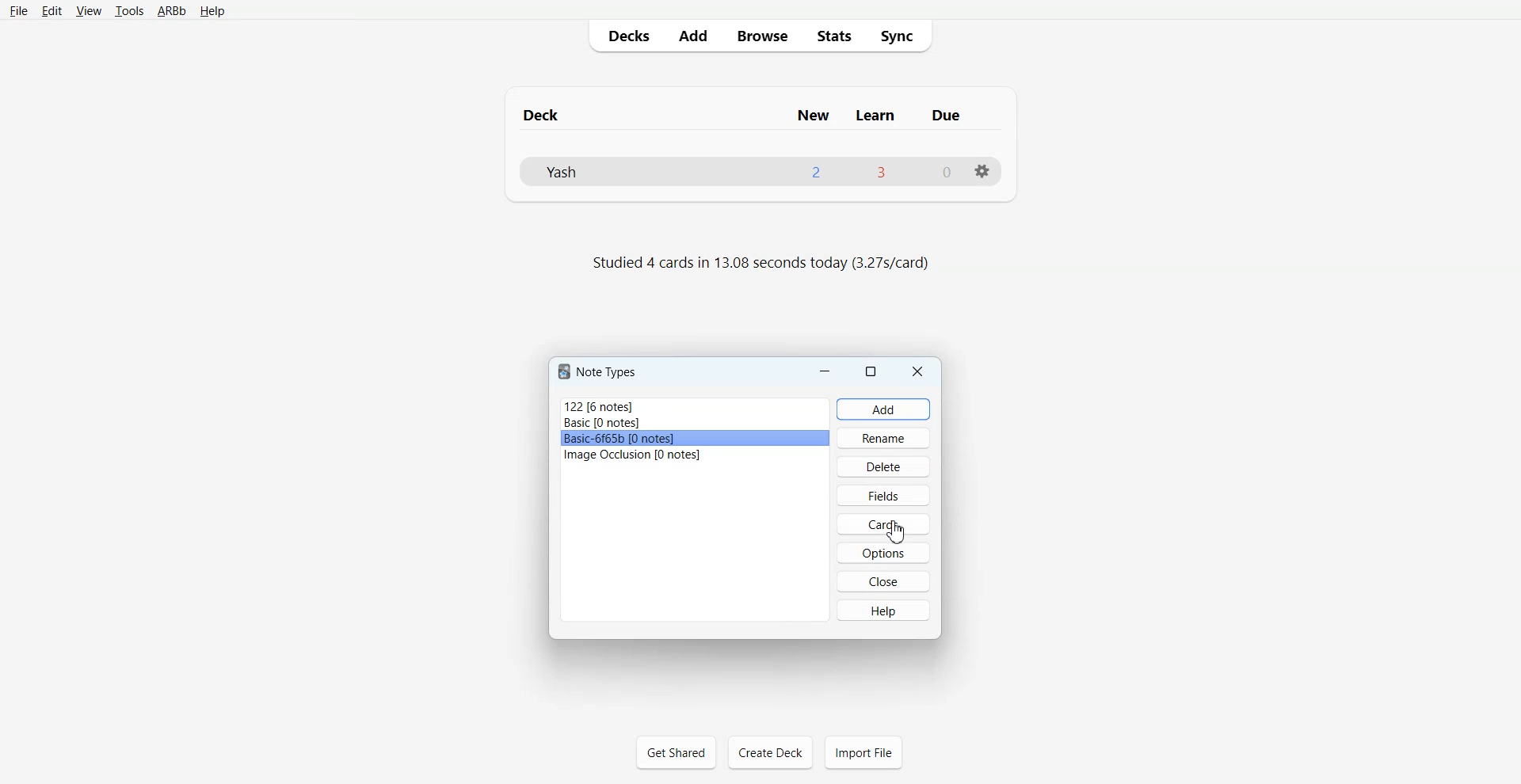 The image size is (1521, 784). Describe the element at coordinates (761, 172) in the screenshot. I see `Deck File` at that location.